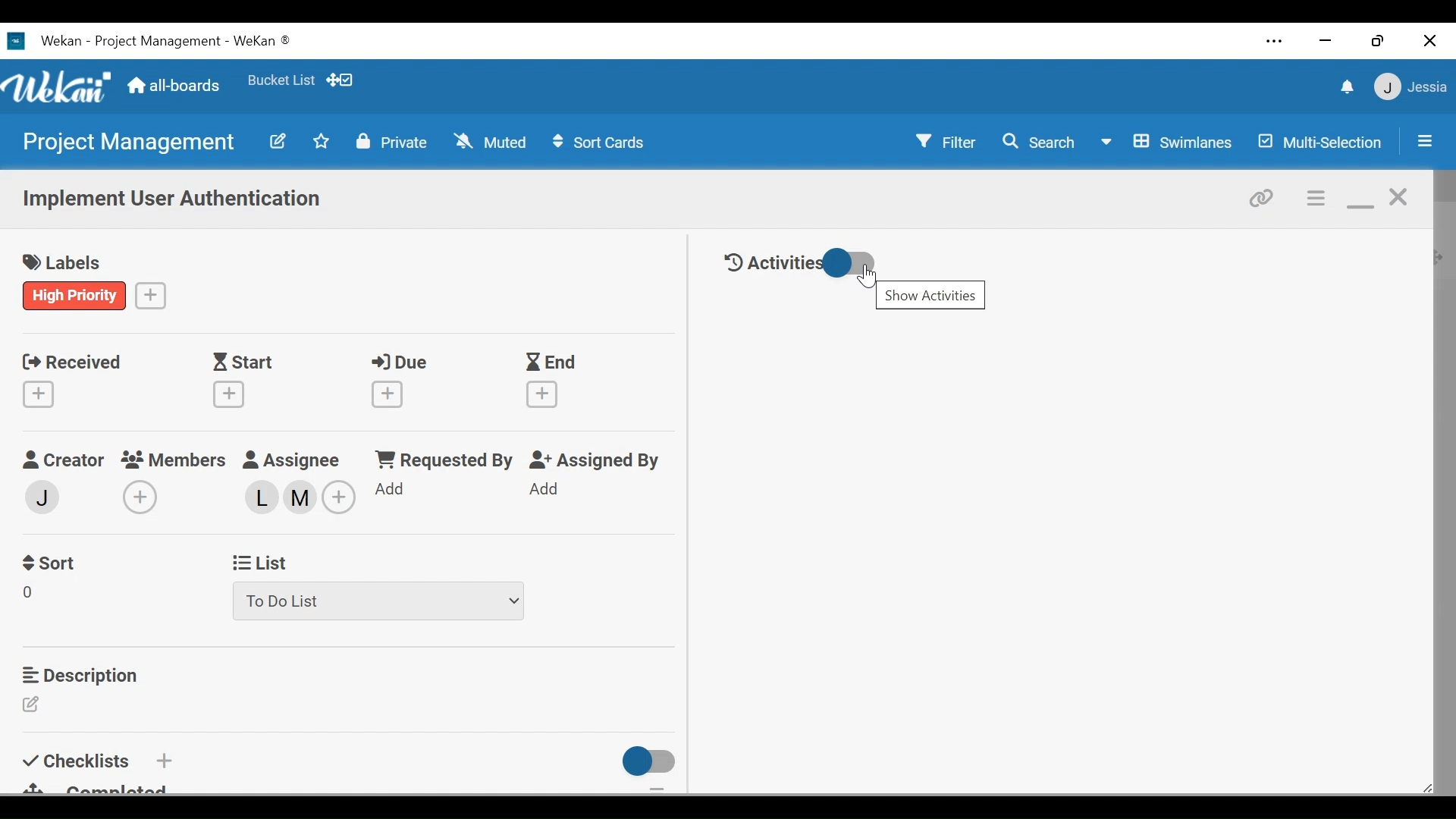 The height and width of the screenshot is (819, 1456). Describe the element at coordinates (1316, 198) in the screenshot. I see `c` at that location.